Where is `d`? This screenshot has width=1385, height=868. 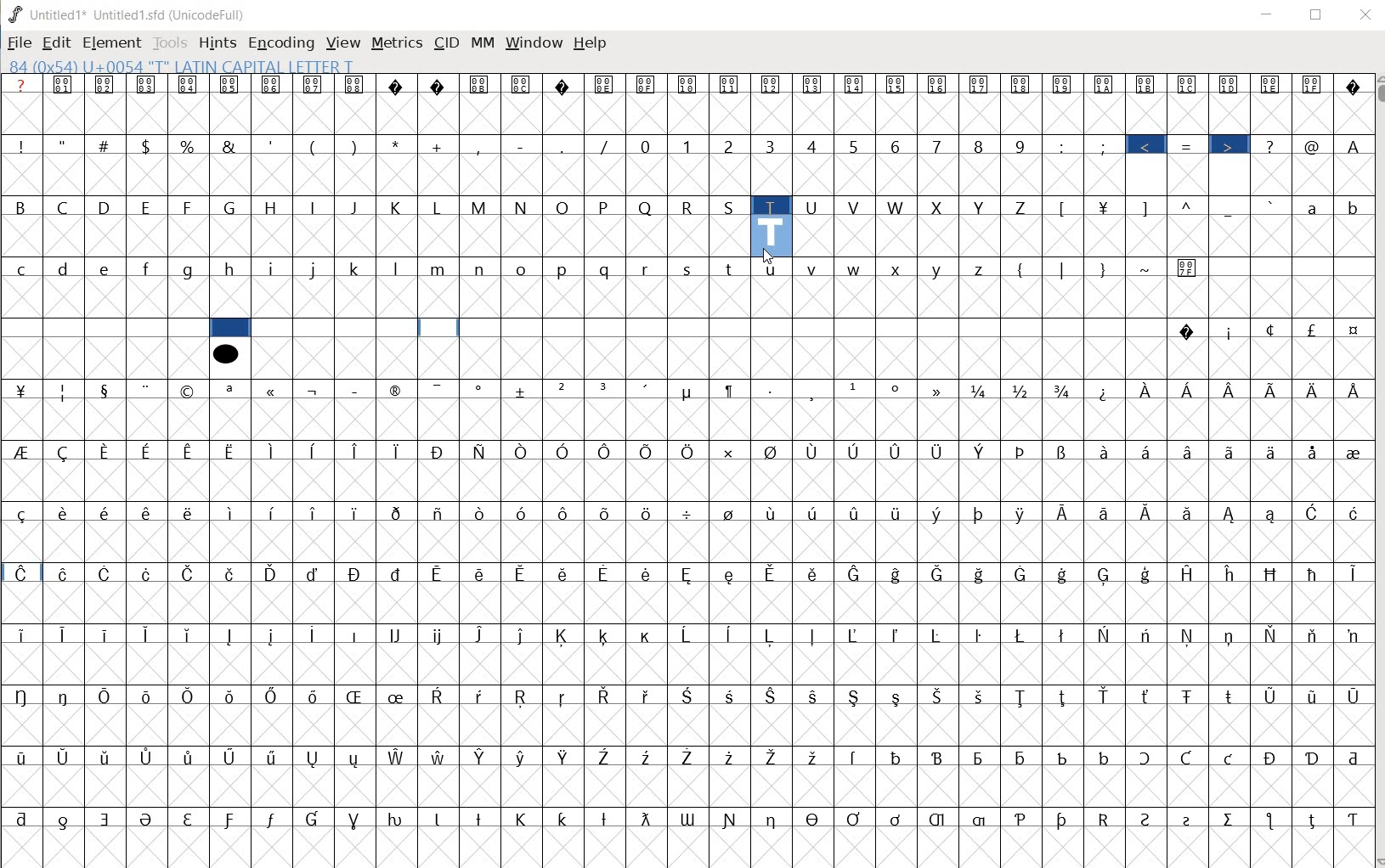 d is located at coordinates (65, 268).